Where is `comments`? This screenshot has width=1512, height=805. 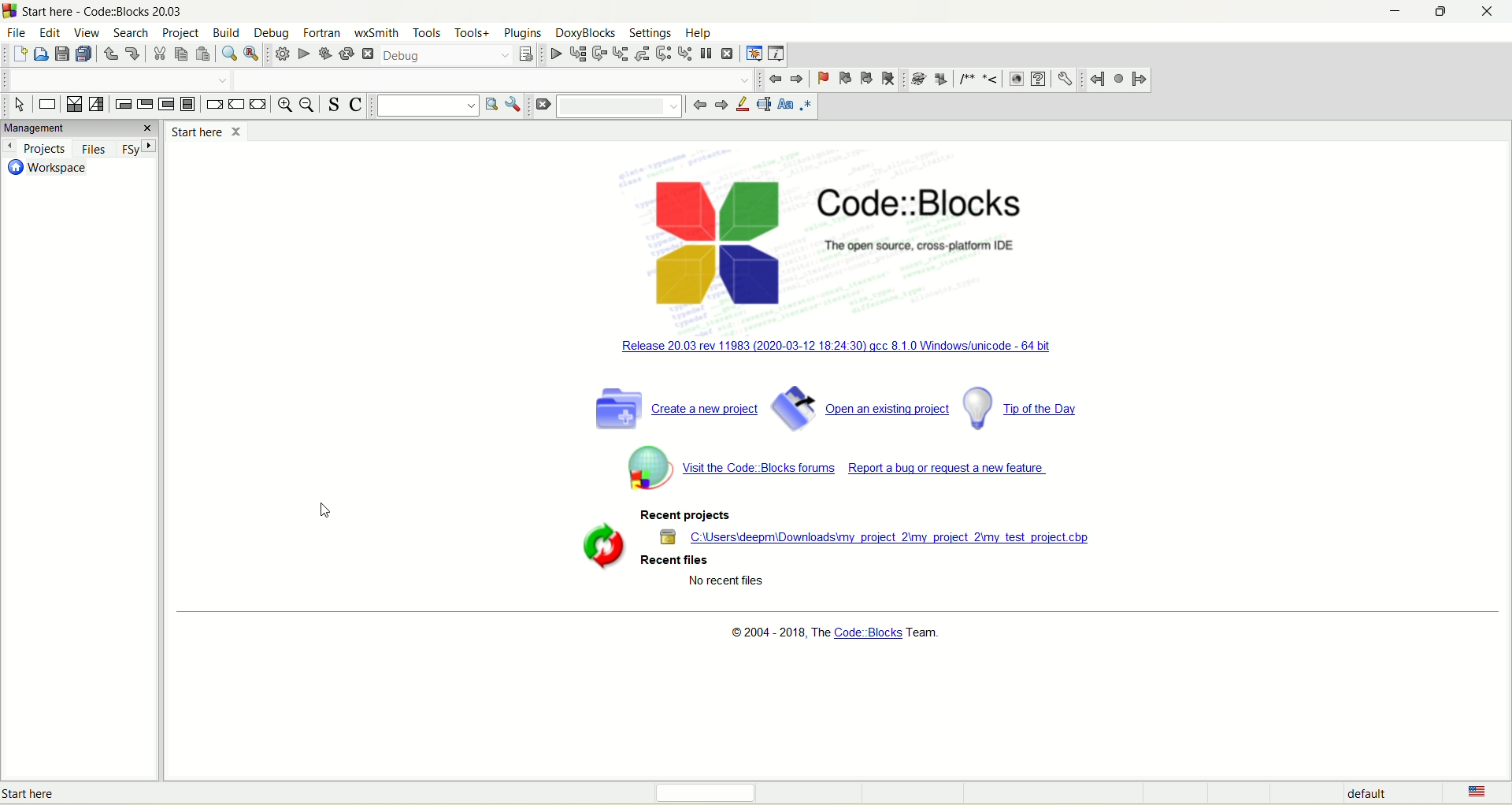
comments is located at coordinates (980, 80).